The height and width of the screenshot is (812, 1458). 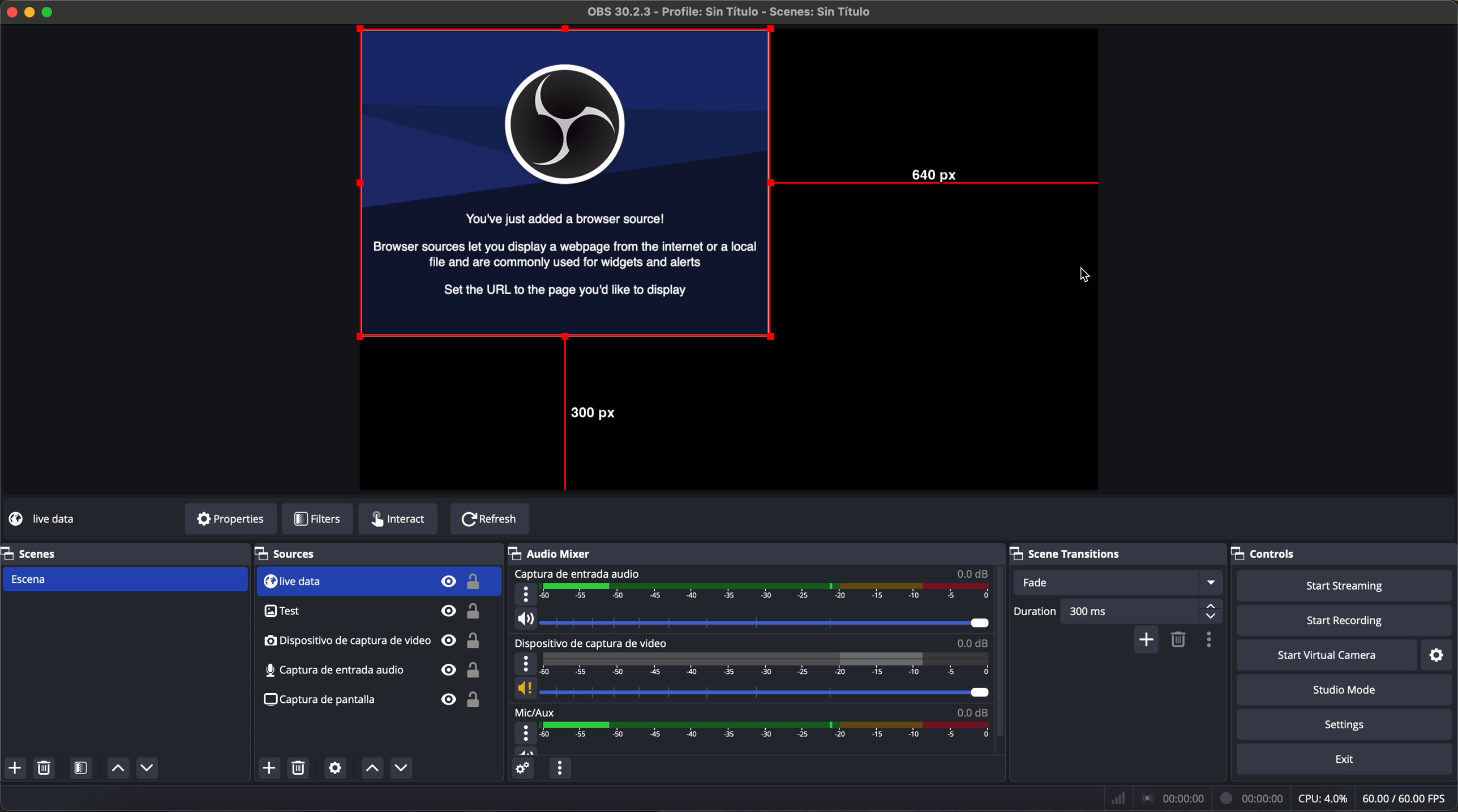 I want to click on scene, so click(x=127, y=579).